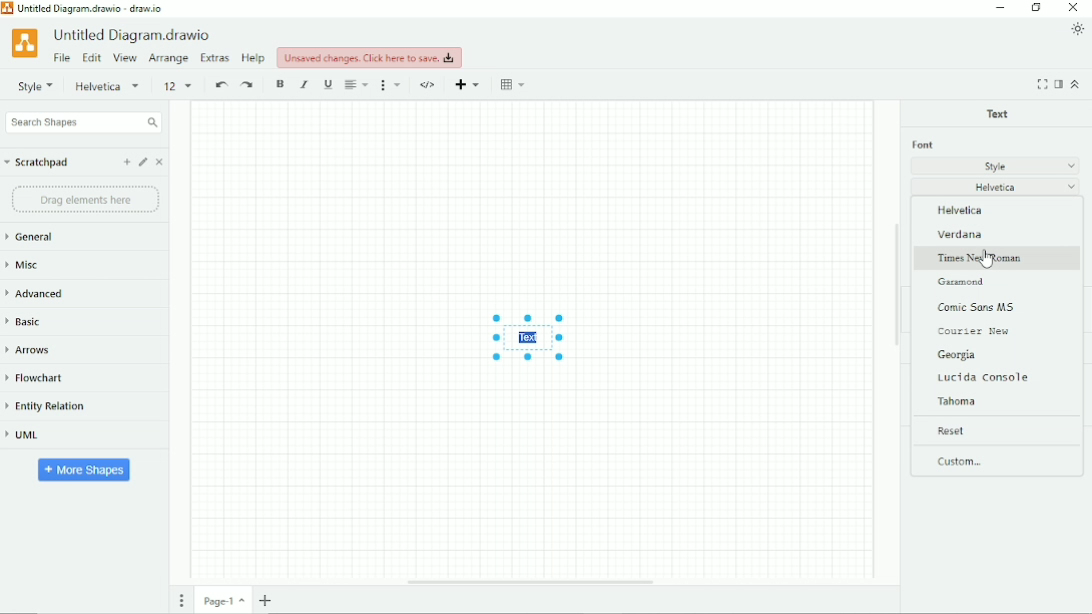  I want to click on Untitled Diagram.drawio - draw.io, so click(90, 9).